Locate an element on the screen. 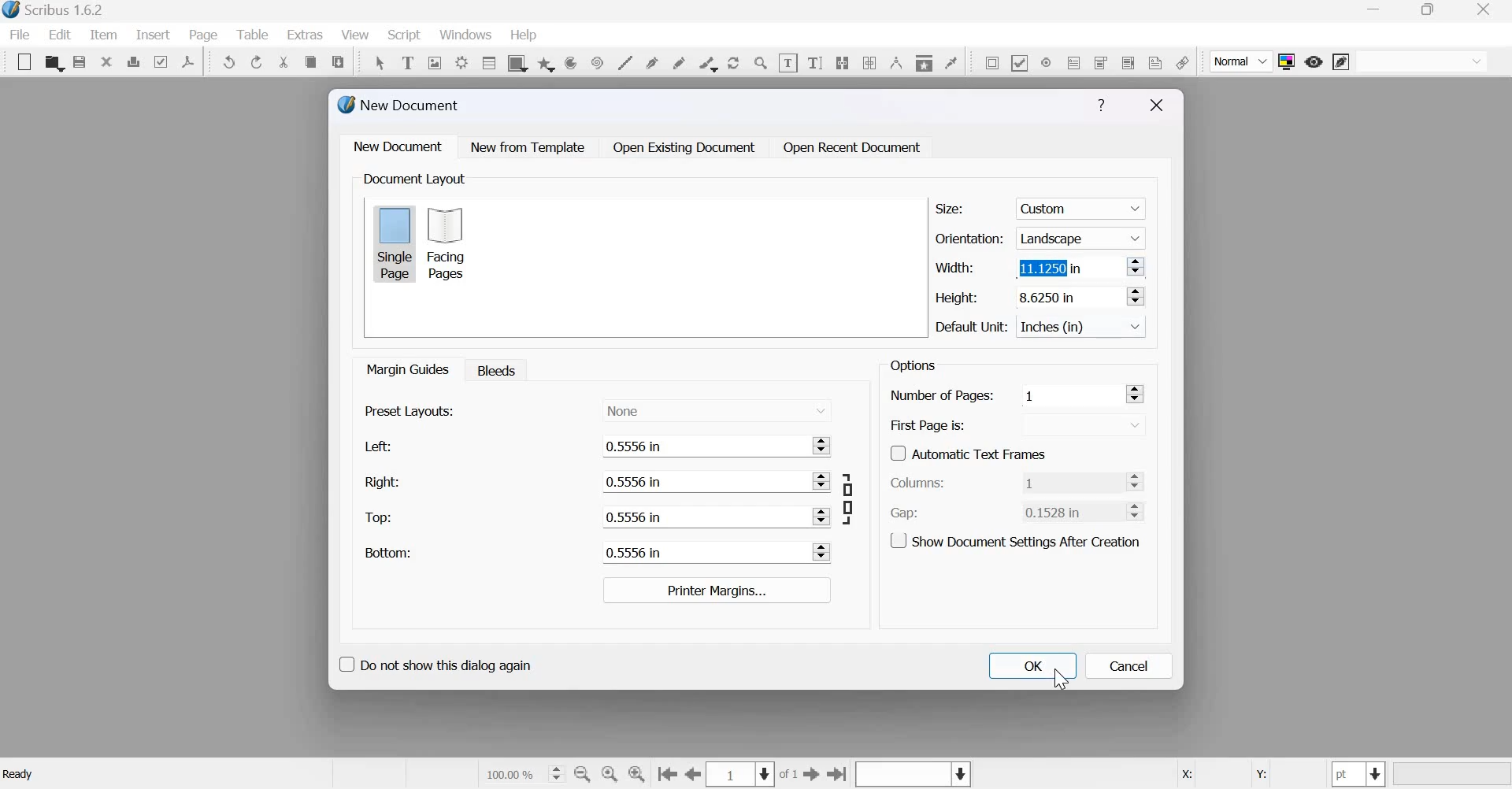  Select the current layer is located at coordinates (911, 775).